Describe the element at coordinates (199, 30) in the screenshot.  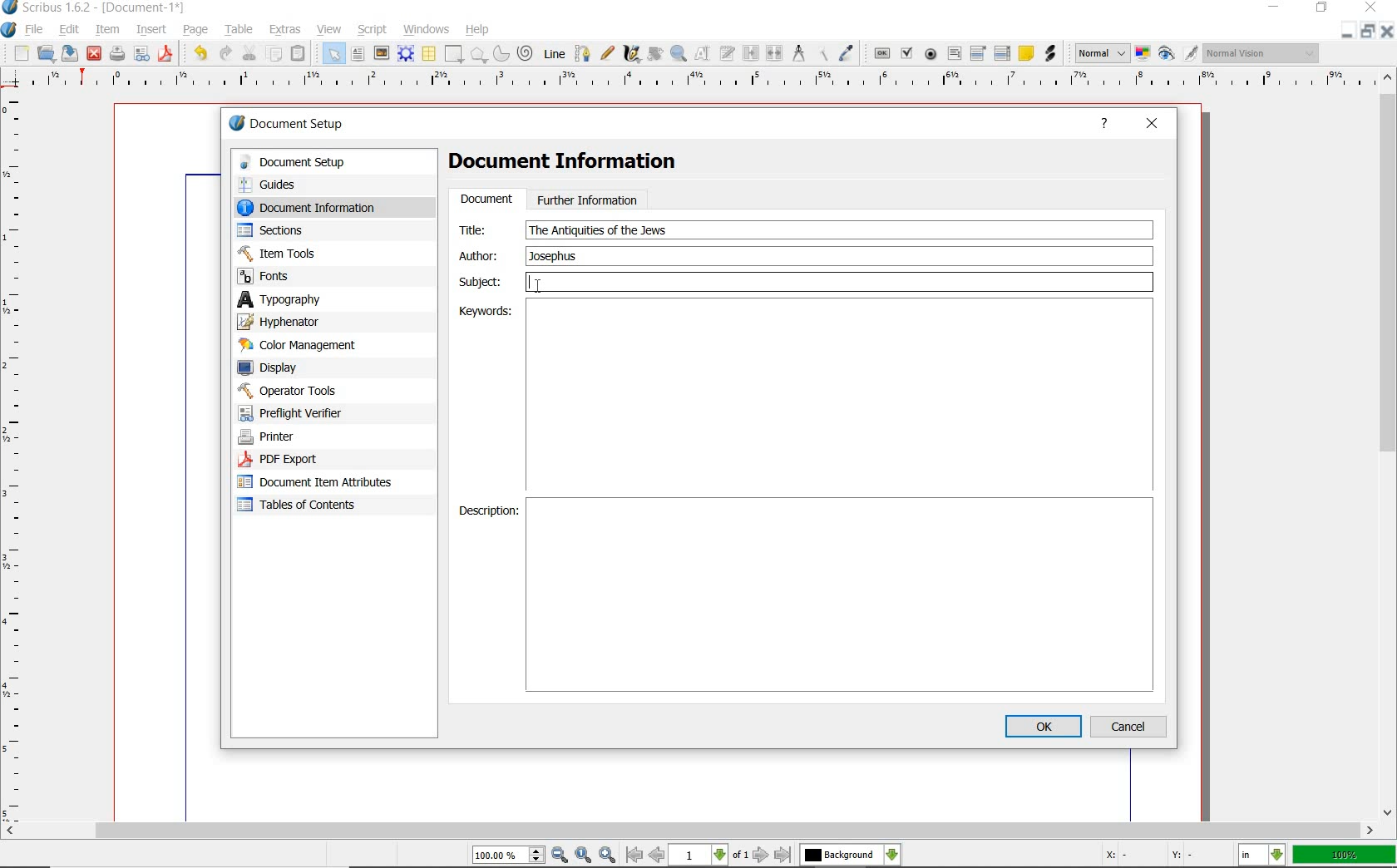
I see `page` at that location.